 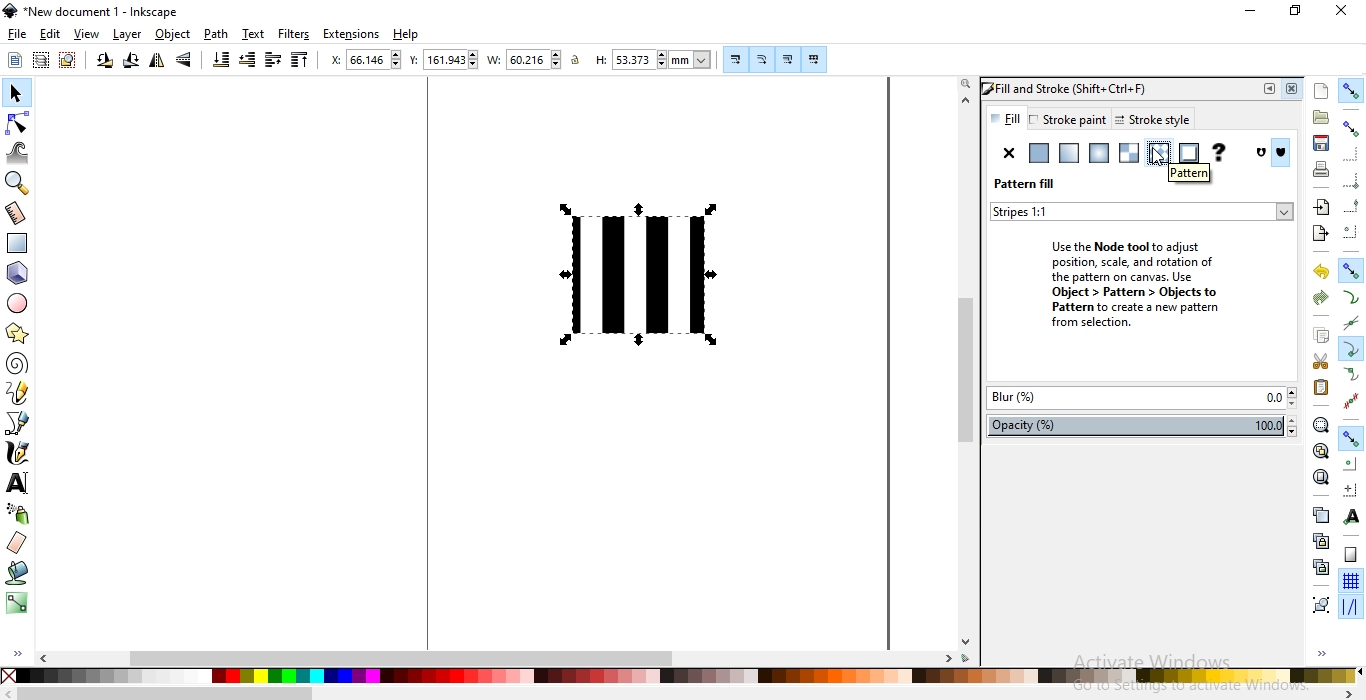 I want to click on snap midpoints of line segments, so click(x=1354, y=399).